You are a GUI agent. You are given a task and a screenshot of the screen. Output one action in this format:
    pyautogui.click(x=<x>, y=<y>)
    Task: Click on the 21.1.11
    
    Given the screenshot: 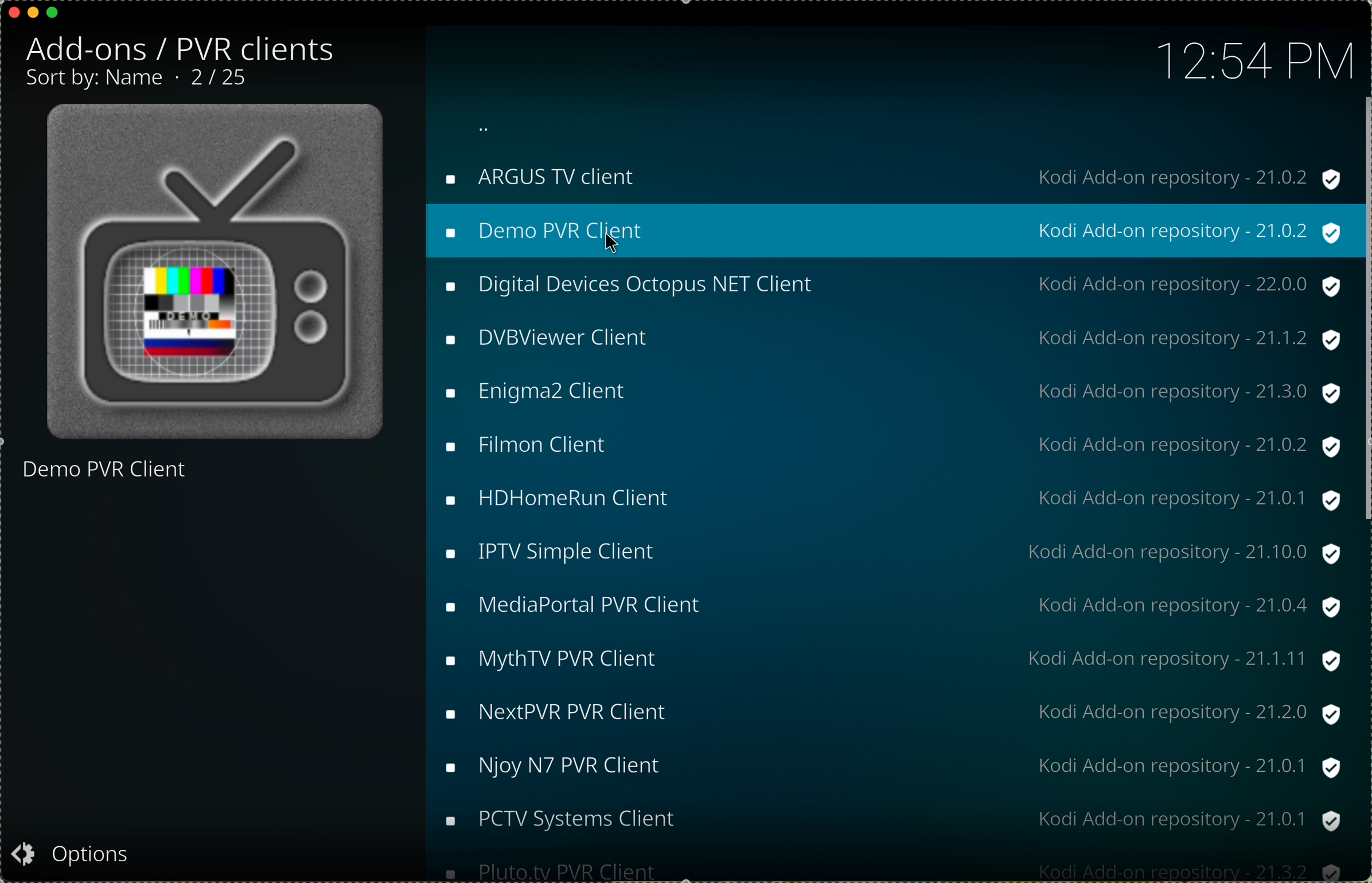 What is the action you would take?
    pyautogui.click(x=1277, y=659)
    